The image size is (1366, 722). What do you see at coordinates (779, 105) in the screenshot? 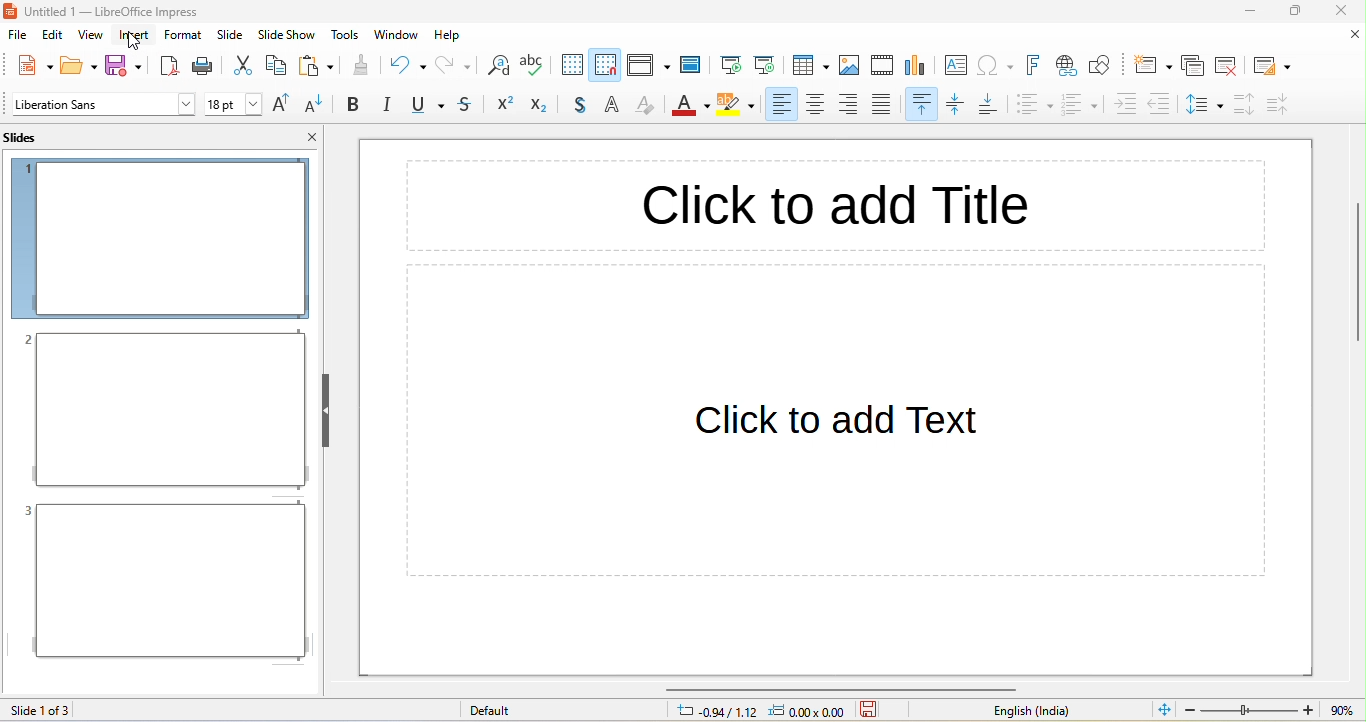
I see `align left` at bounding box center [779, 105].